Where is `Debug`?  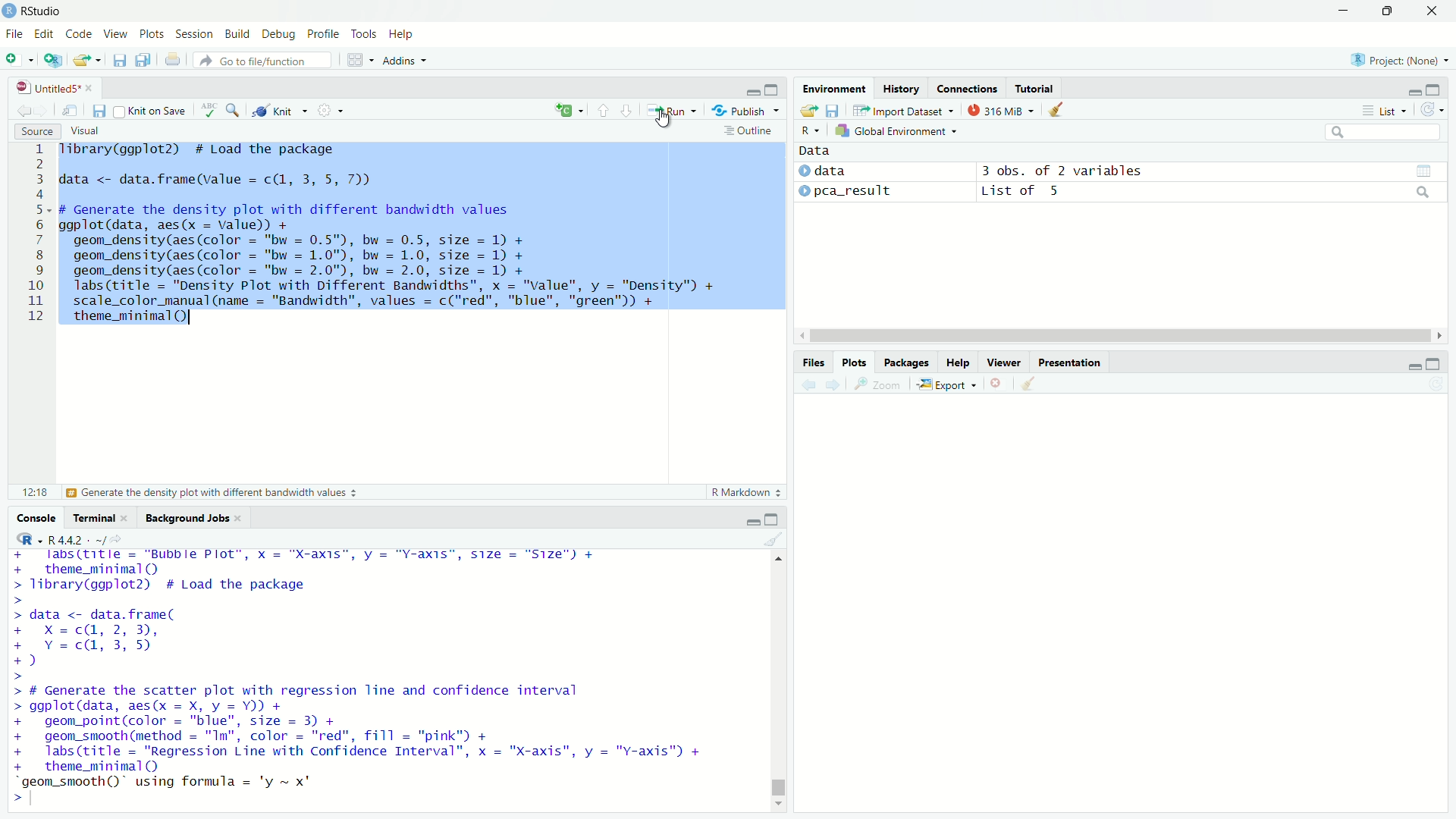 Debug is located at coordinates (278, 34).